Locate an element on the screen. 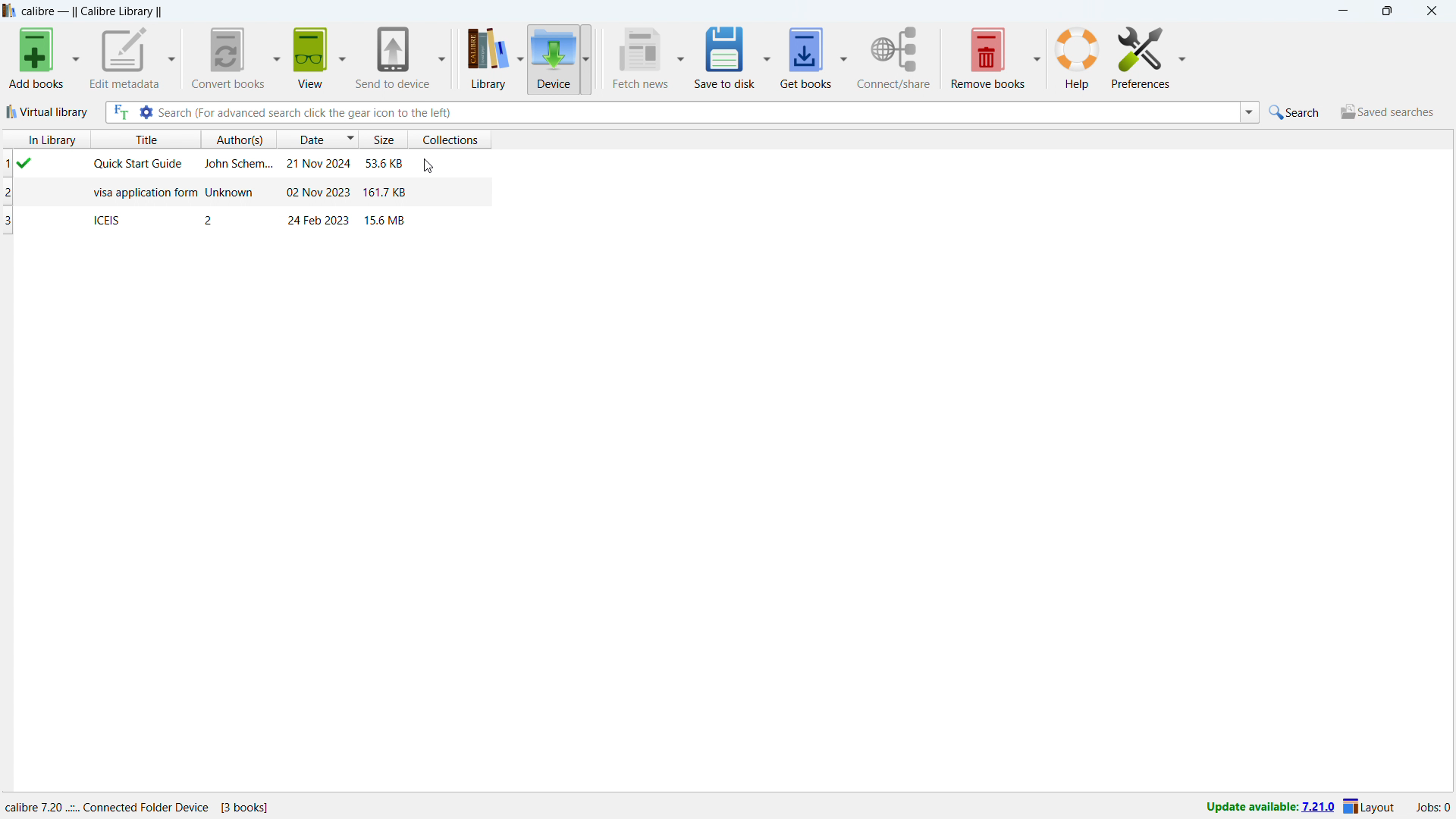 This screenshot has width=1456, height=819. view is located at coordinates (309, 58).